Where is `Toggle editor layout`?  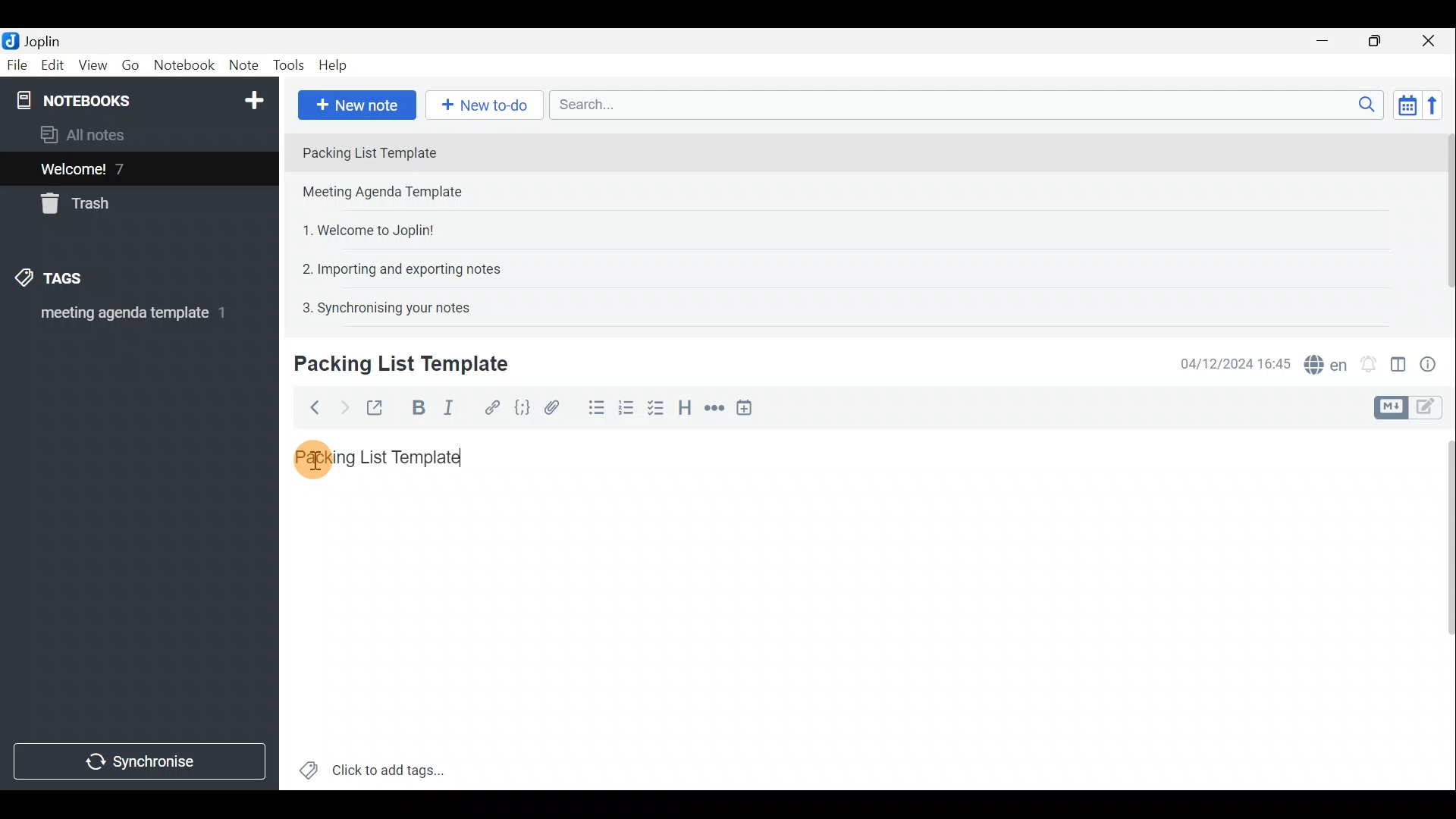
Toggle editor layout is located at coordinates (1398, 359).